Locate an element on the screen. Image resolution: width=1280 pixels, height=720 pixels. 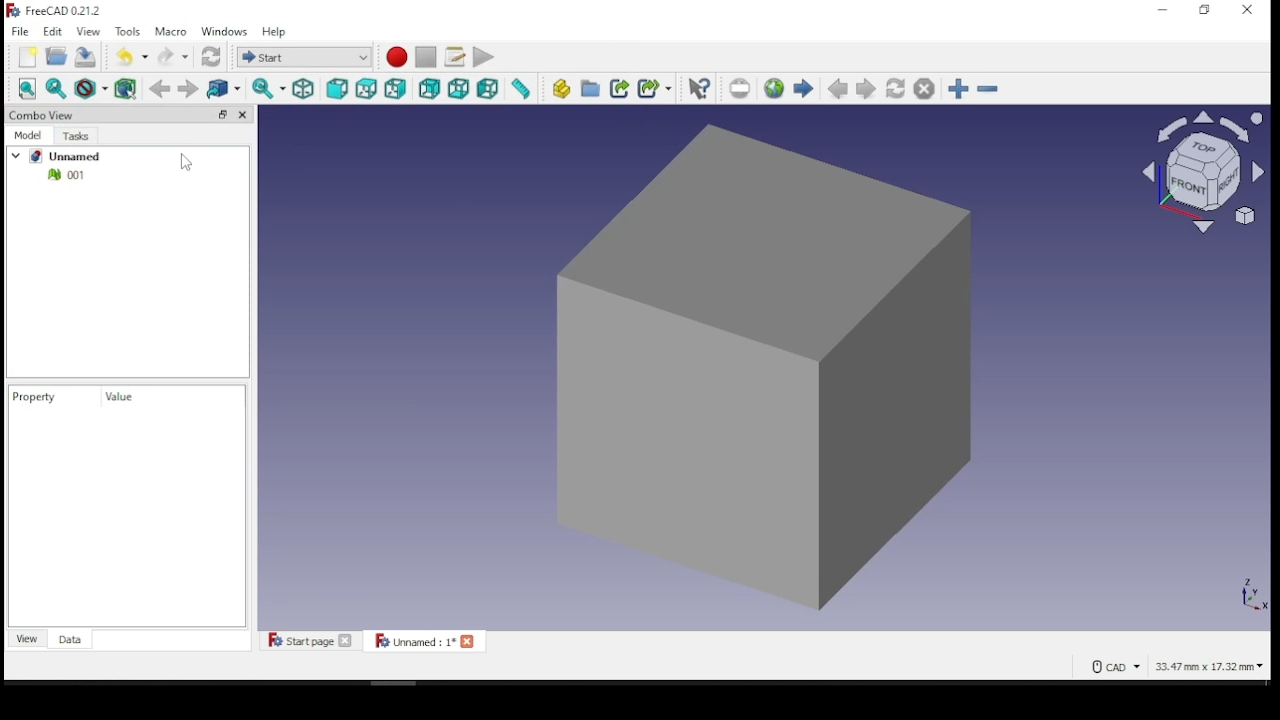
view is located at coordinates (28, 638).